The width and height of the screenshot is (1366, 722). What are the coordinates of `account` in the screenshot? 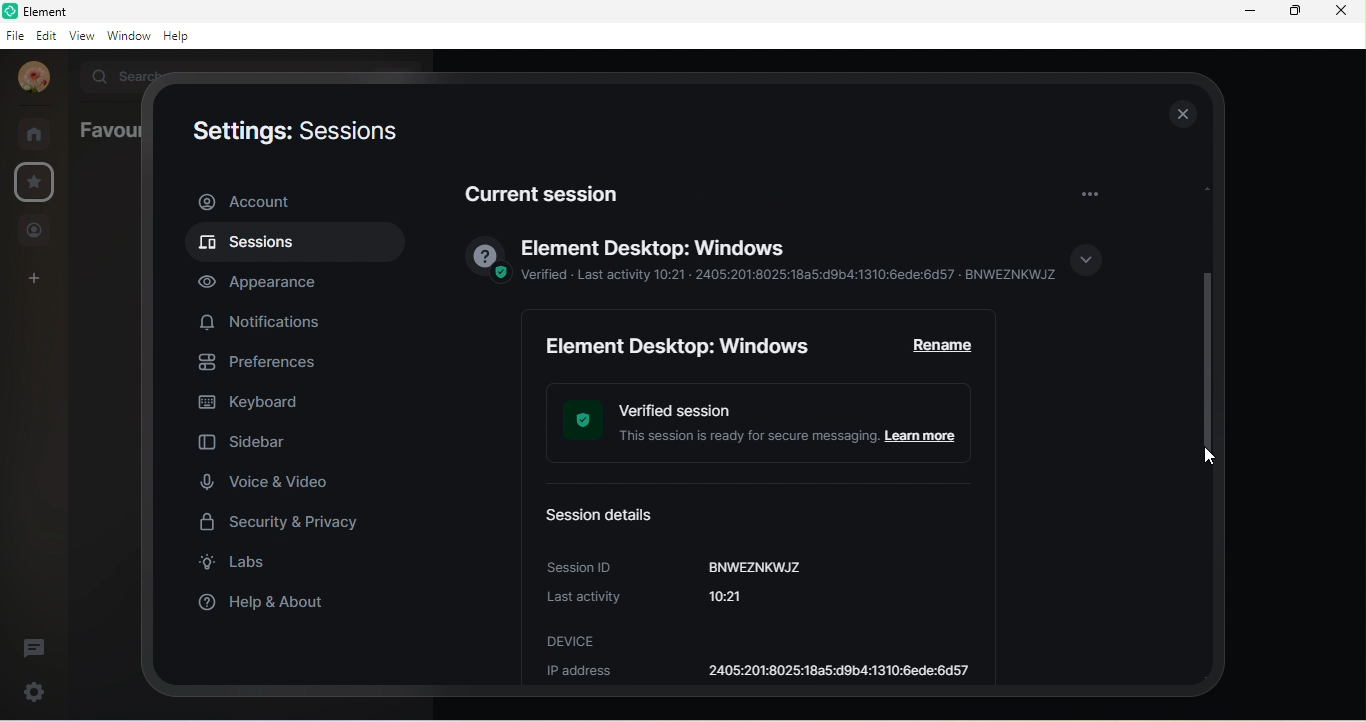 It's located at (293, 201).